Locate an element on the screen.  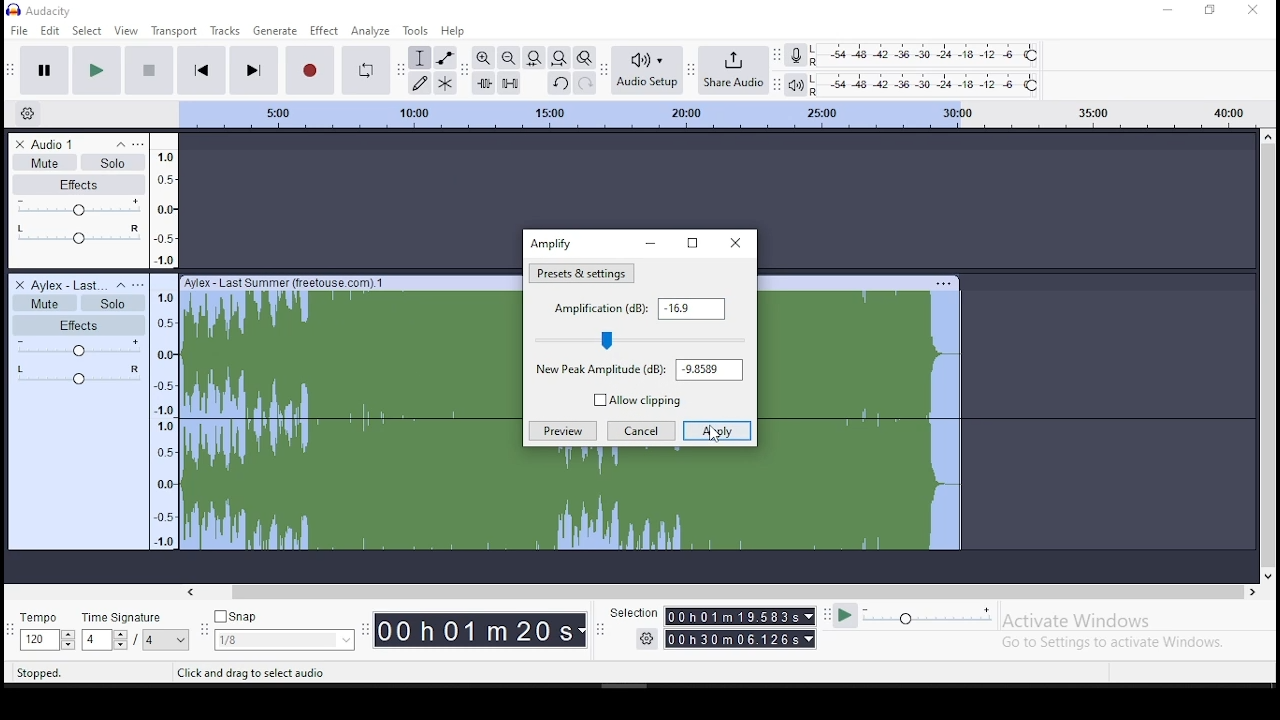
pan is located at coordinates (80, 376).